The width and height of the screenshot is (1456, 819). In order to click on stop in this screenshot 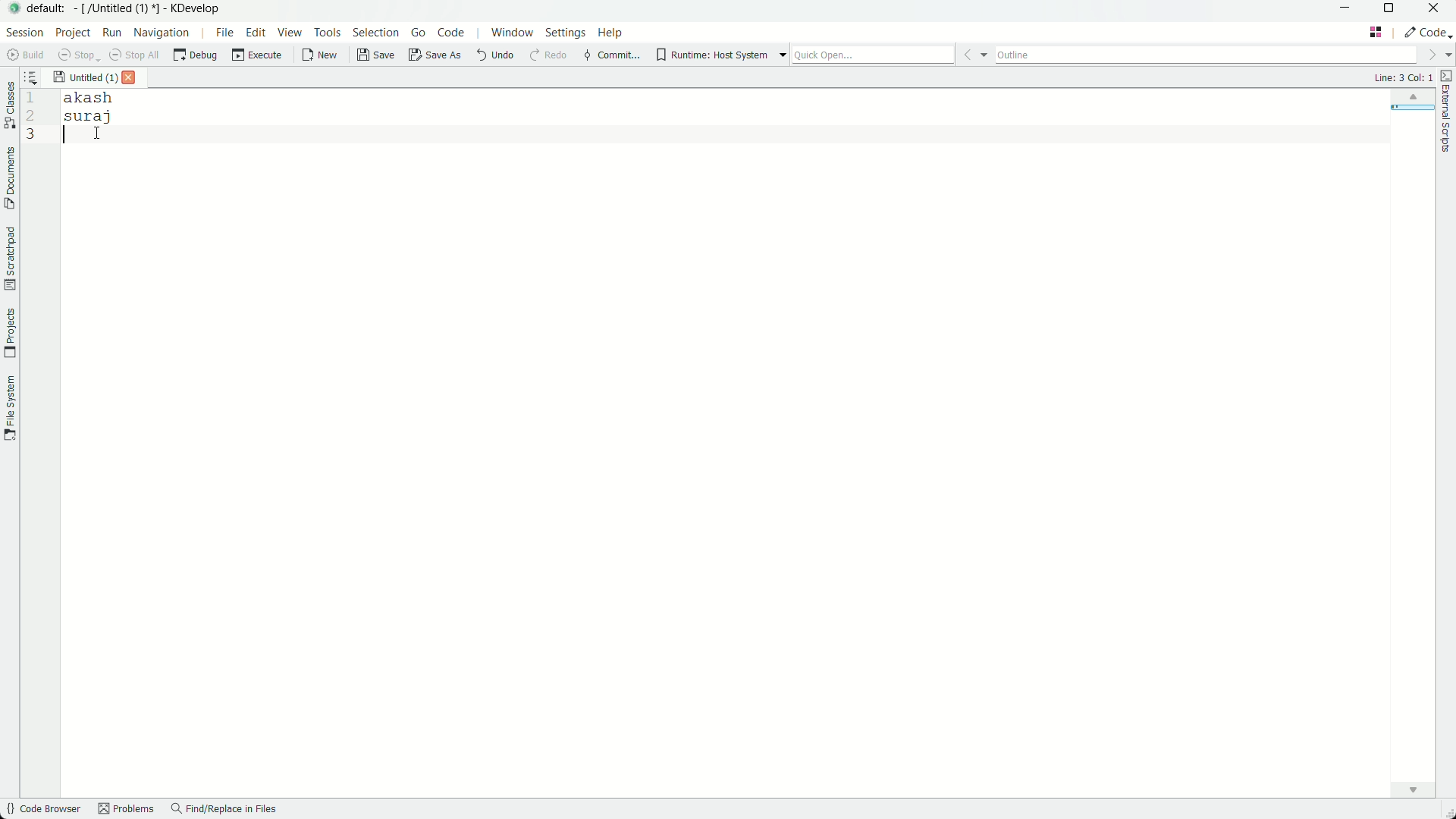, I will do `click(75, 54)`.